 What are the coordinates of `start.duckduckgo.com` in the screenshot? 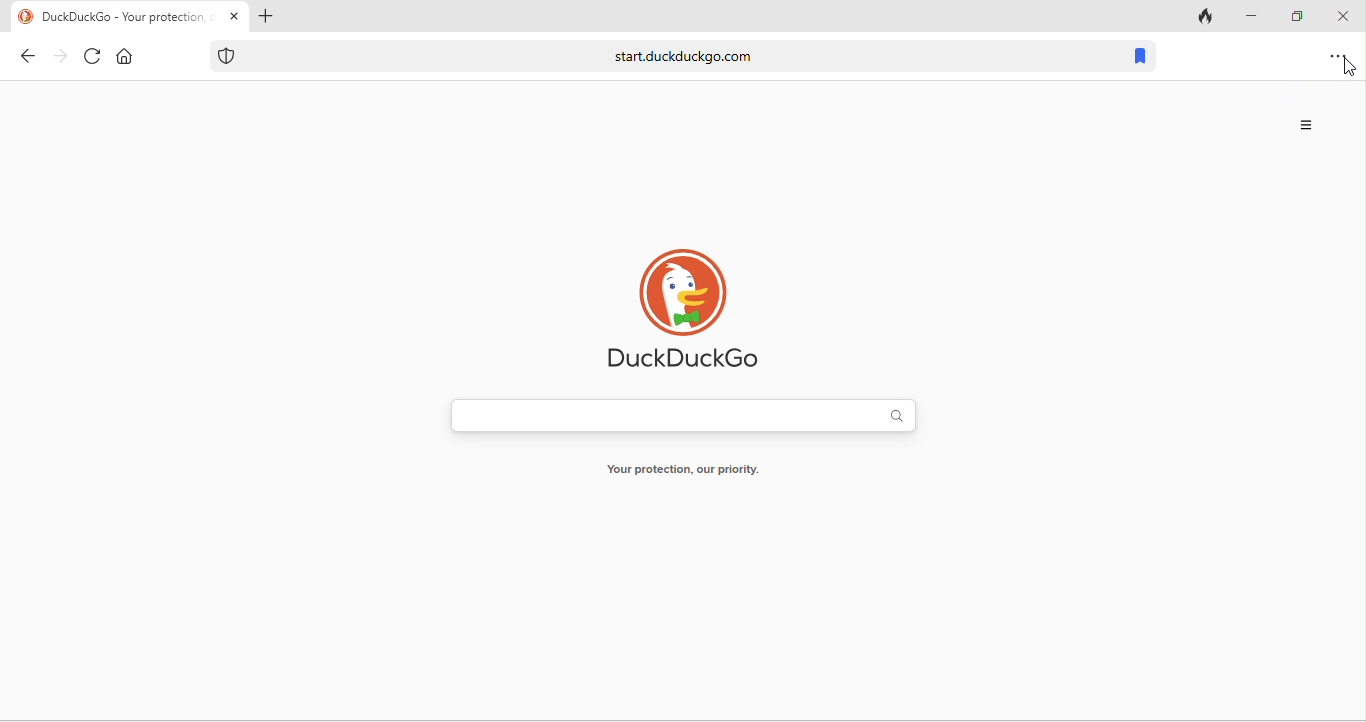 It's located at (662, 54).